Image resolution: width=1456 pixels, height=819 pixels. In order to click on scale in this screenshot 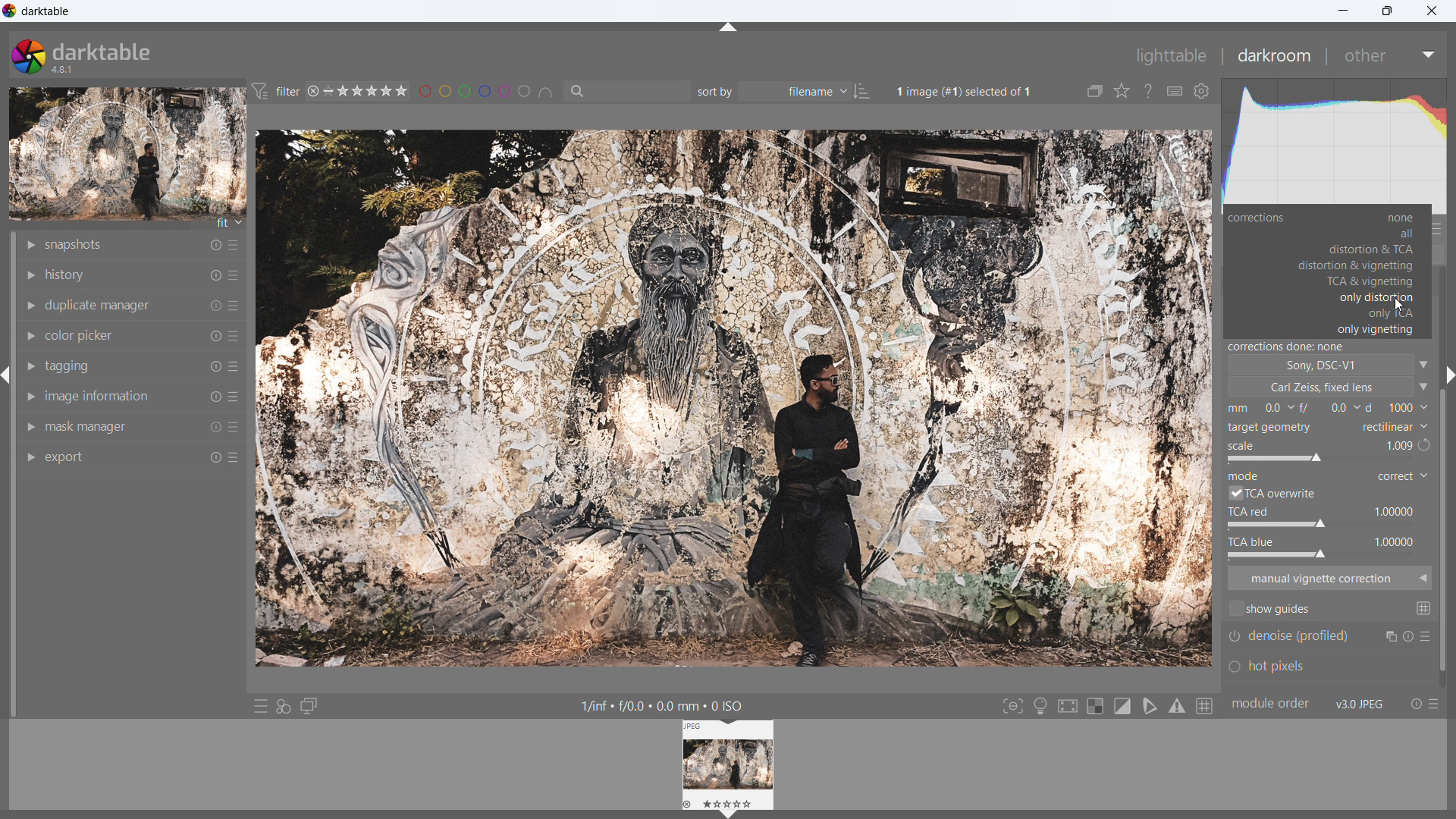, I will do `click(1319, 451)`.